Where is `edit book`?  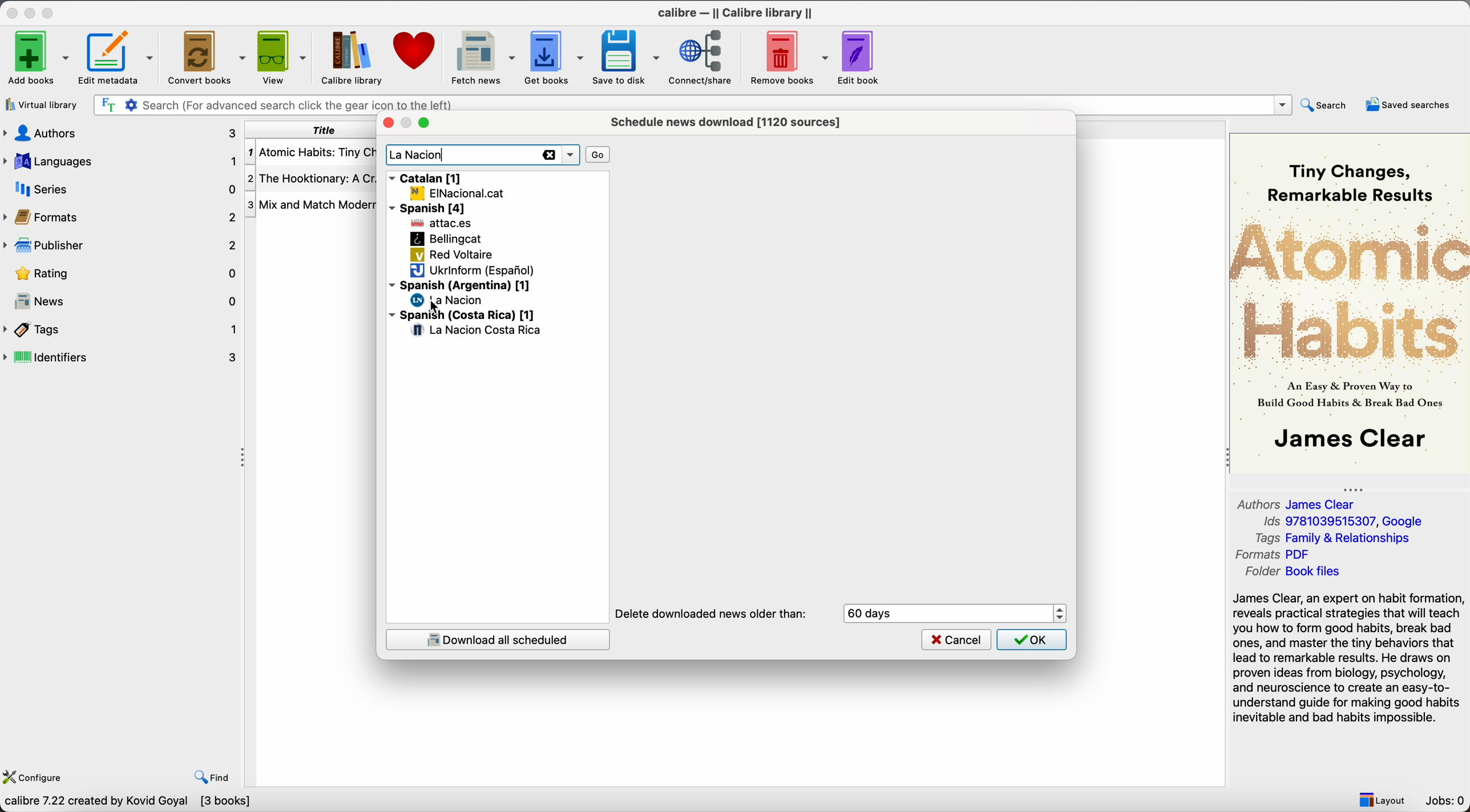 edit book is located at coordinates (860, 56).